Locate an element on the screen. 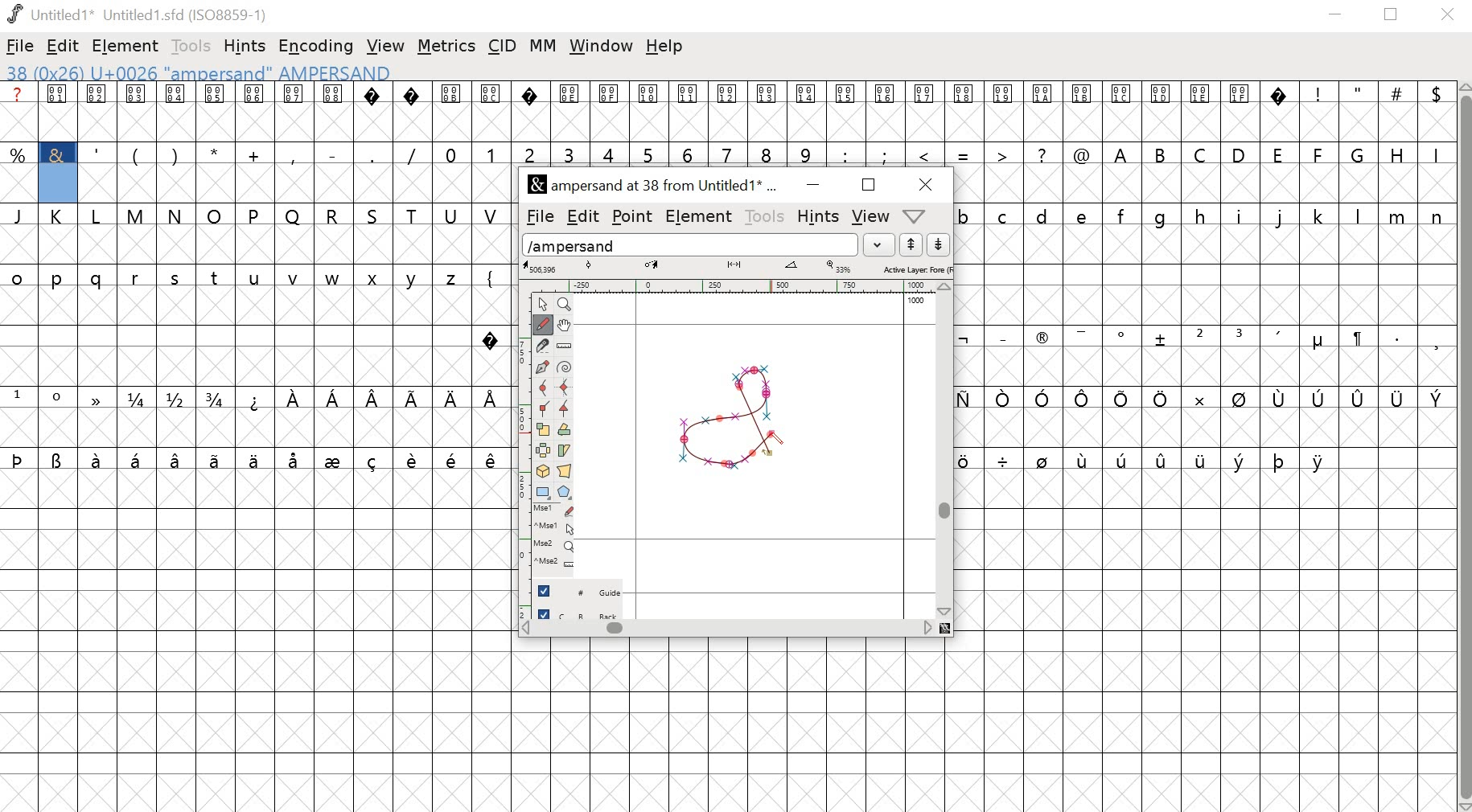  _ is located at coordinates (1001, 337).